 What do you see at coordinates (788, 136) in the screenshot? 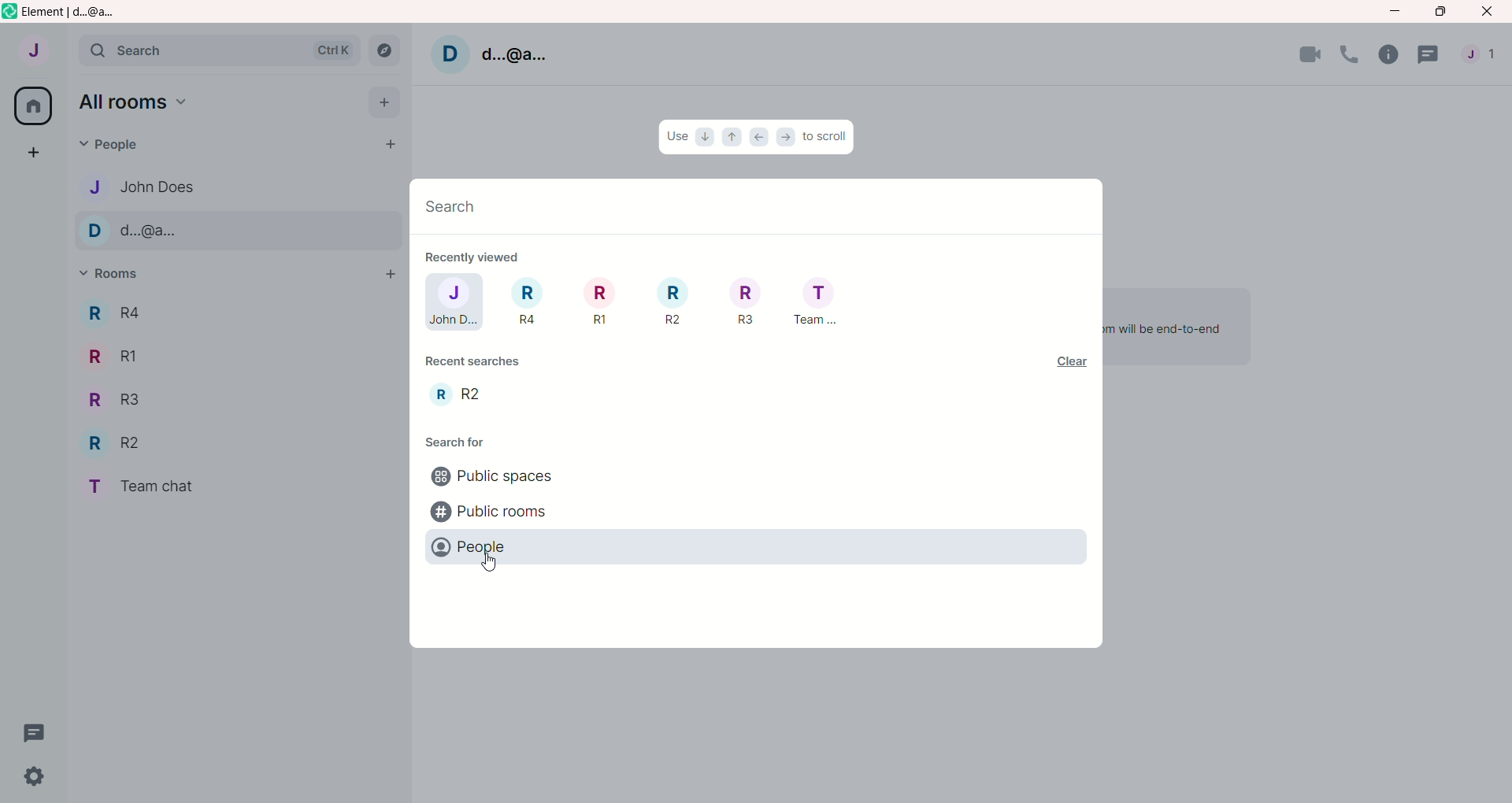
I see `right arrow icon` at bounding box center [788, 136].